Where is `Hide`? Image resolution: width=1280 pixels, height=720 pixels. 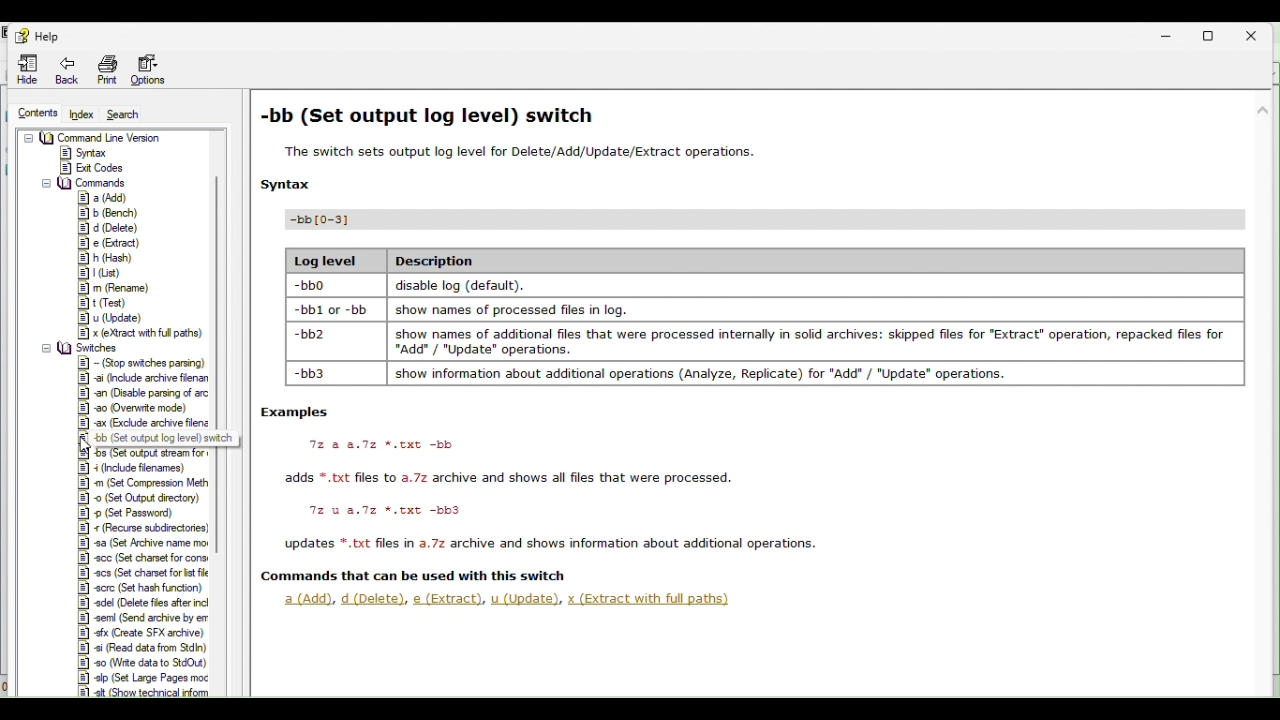
Hide is located at coordinates (23, 70).